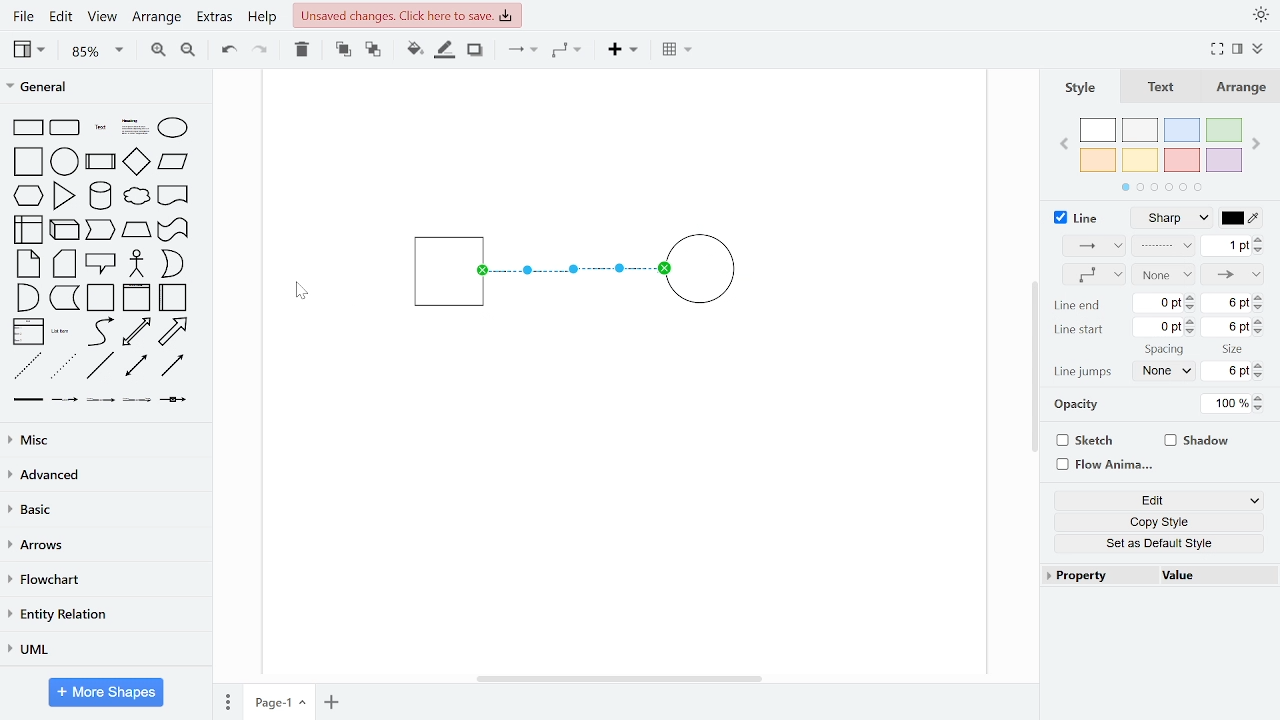 This screenshot has width=1280, height=720. I want to click on extras, so click(214, 17).